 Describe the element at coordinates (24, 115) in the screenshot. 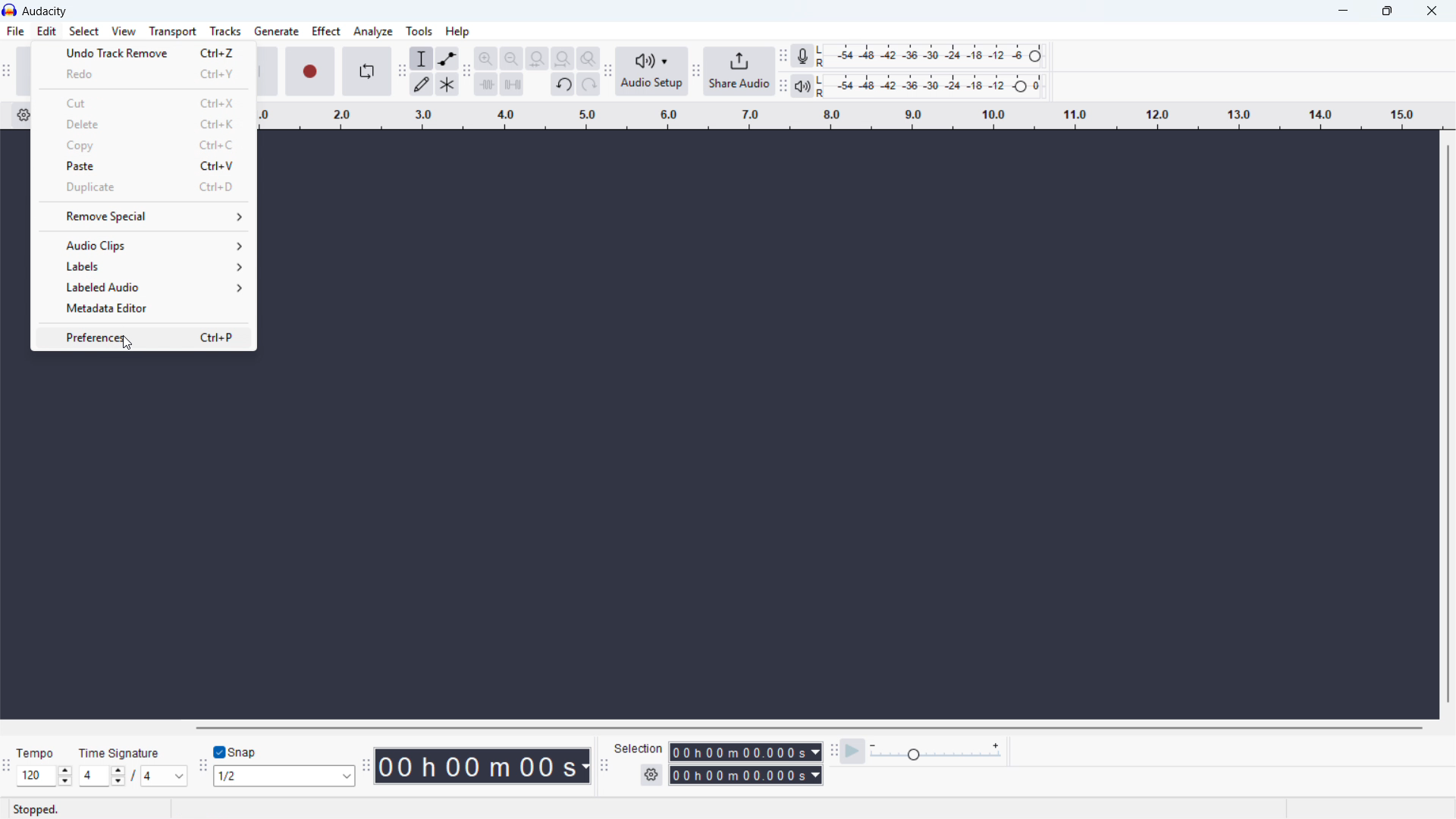

I see `timeline settings` at that location.